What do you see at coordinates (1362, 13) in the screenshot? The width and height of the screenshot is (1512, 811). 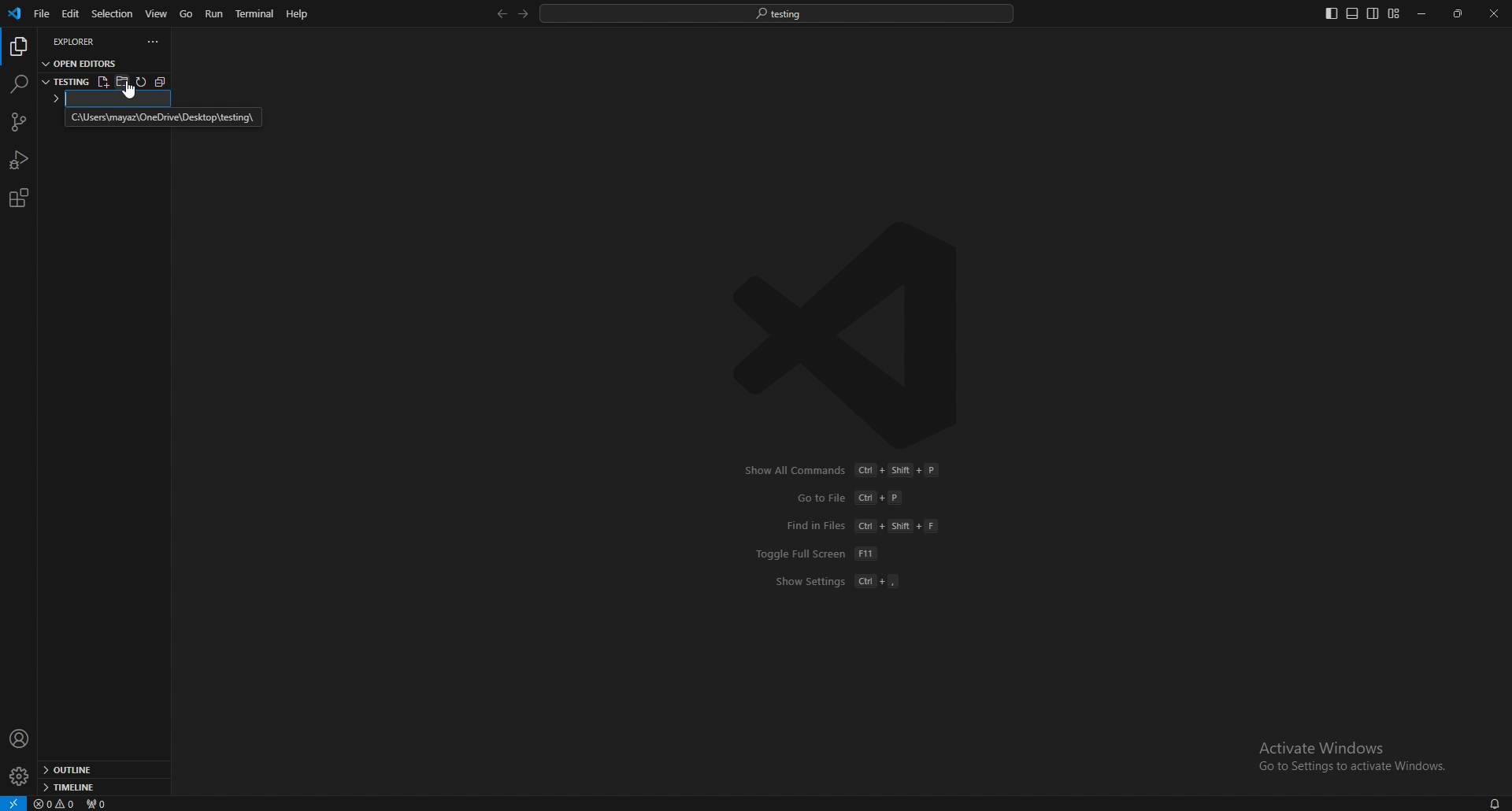 I see `editor layouts` at bounding box center [1362, 13].